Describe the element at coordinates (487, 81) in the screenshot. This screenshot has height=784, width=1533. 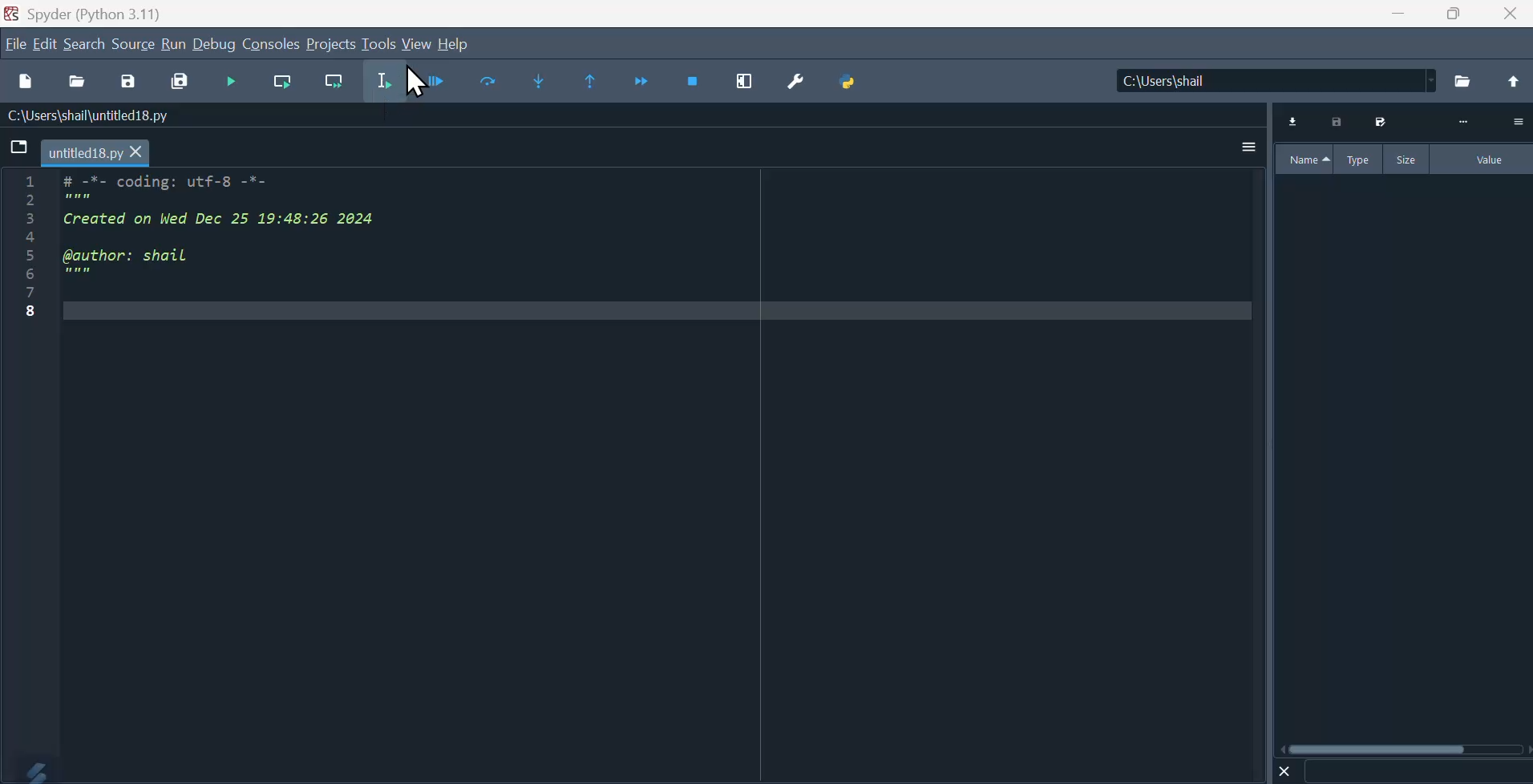
I see `Replace text` at that location.